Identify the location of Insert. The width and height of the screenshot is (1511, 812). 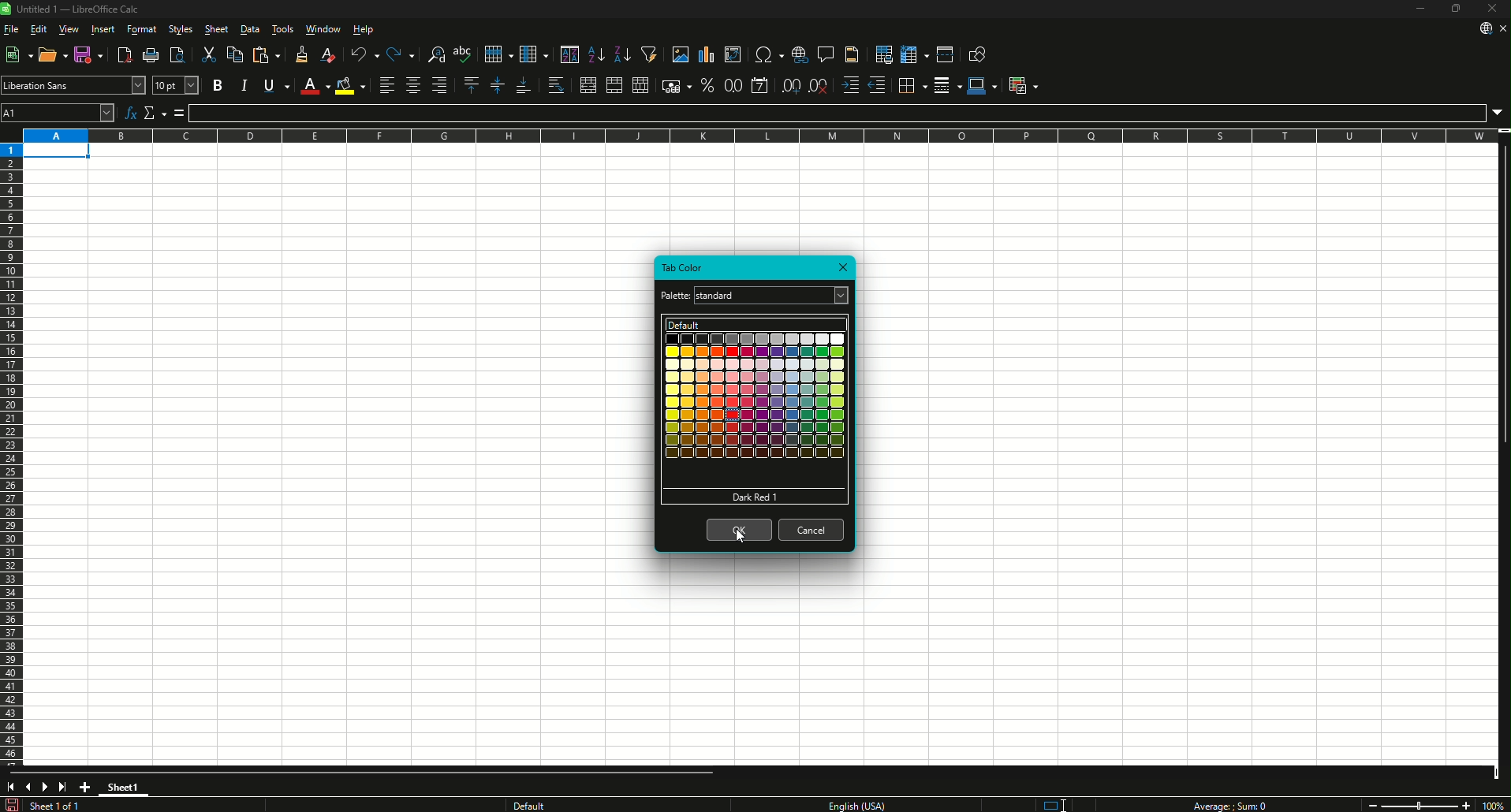
(103, 28).